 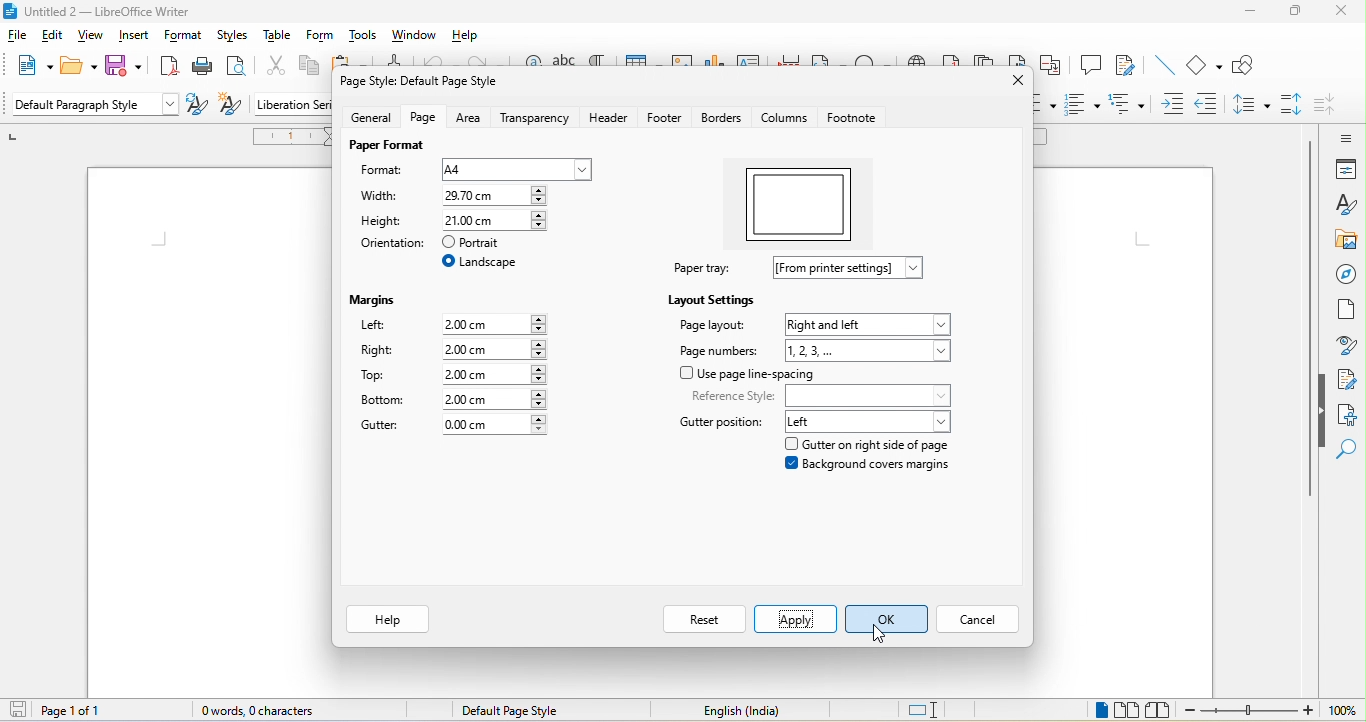 I want to click on orientation preview changed to landscape, so click(x=803, y=204).